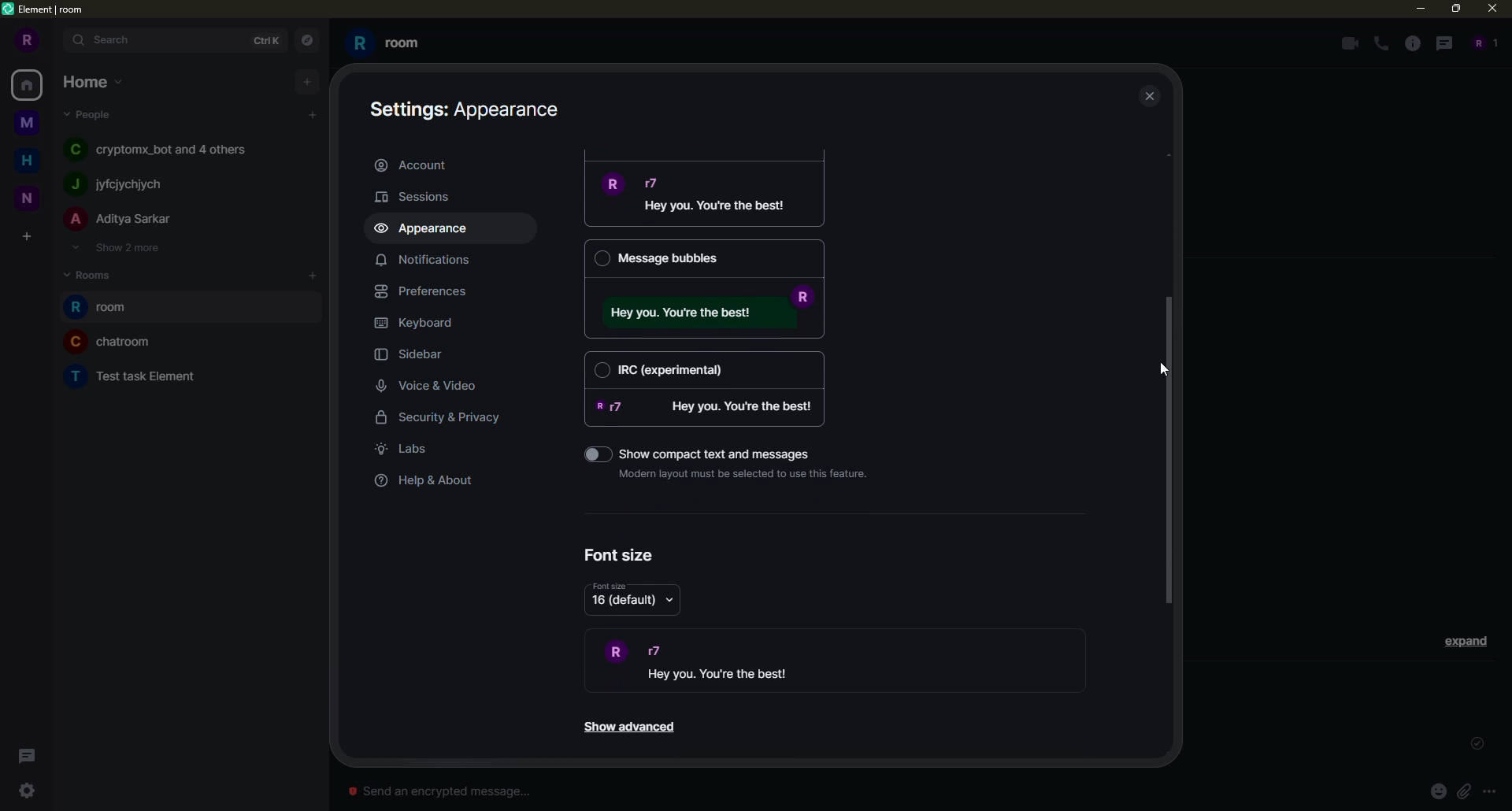  Describe the element at coordinates (105, 308) in the screenshot. I see `room` at that location.